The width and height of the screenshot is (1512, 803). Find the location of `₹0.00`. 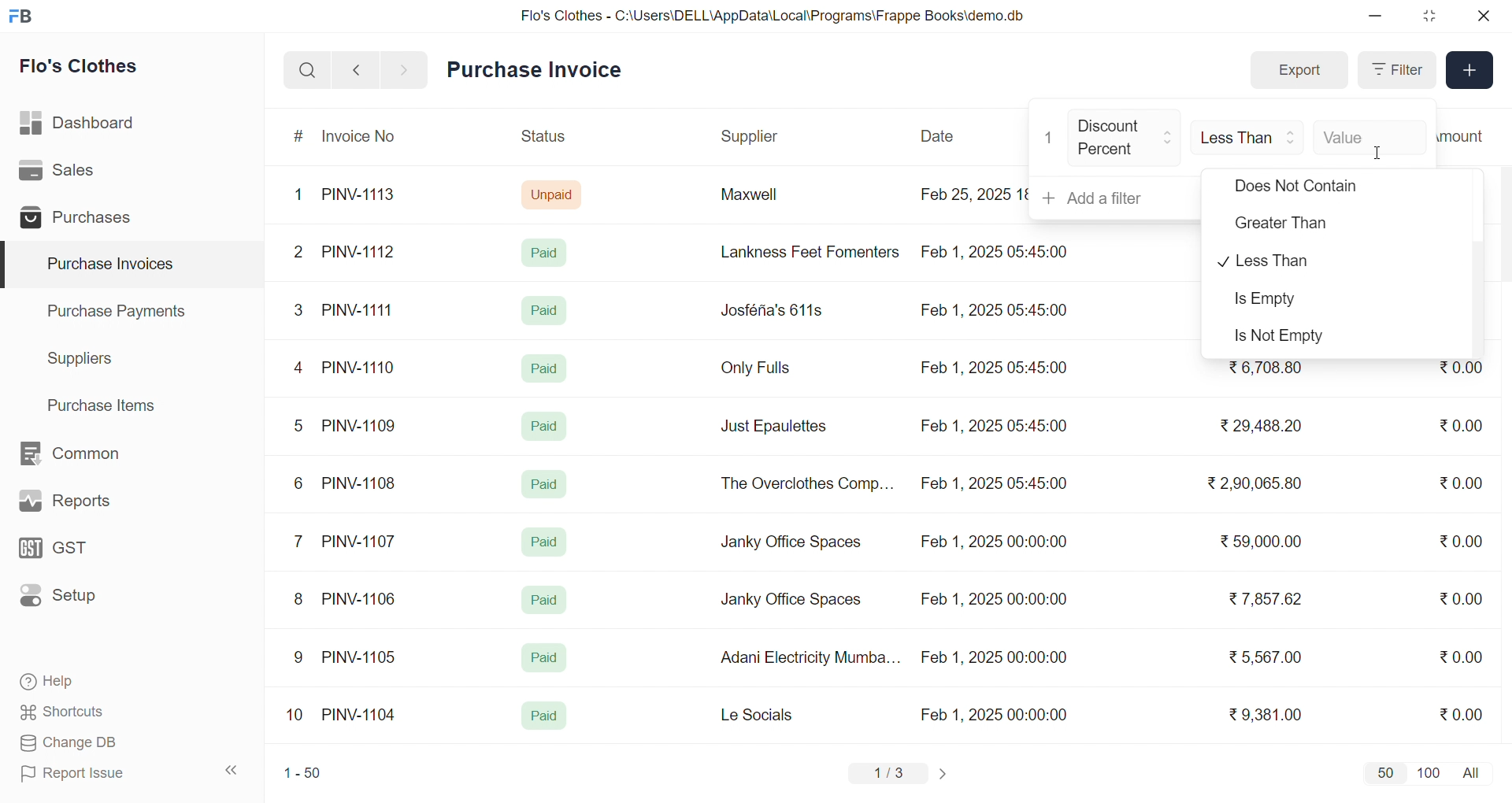

₹0.00 is located at coordinates (1461, 713).